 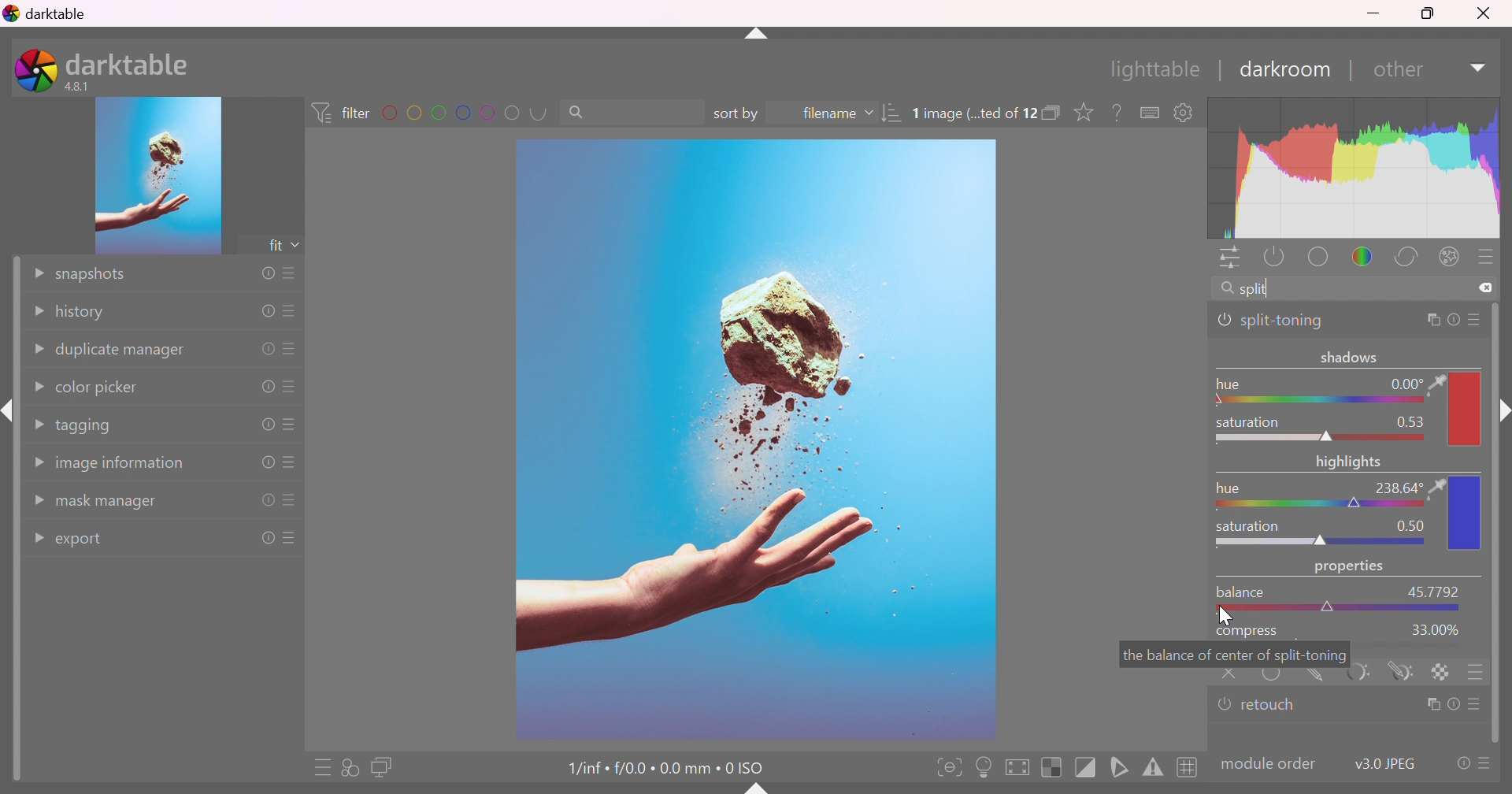 What do you see at coordinates (1407, 421) in the screenshot?
I see `0.53` at bounding box center [1407, 421].